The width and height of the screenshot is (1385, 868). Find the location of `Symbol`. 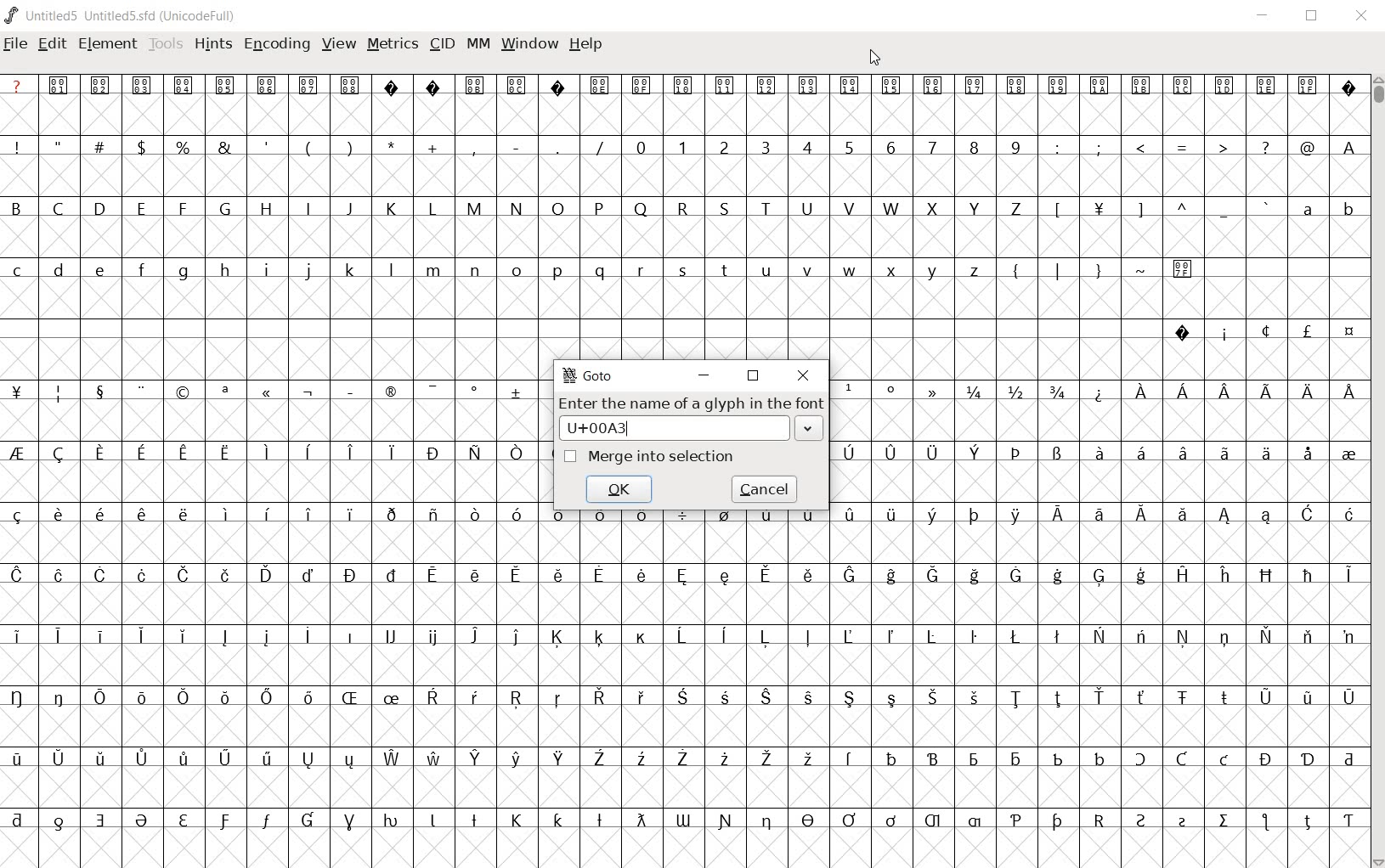

Symbol is located at coordinates (139, 514).